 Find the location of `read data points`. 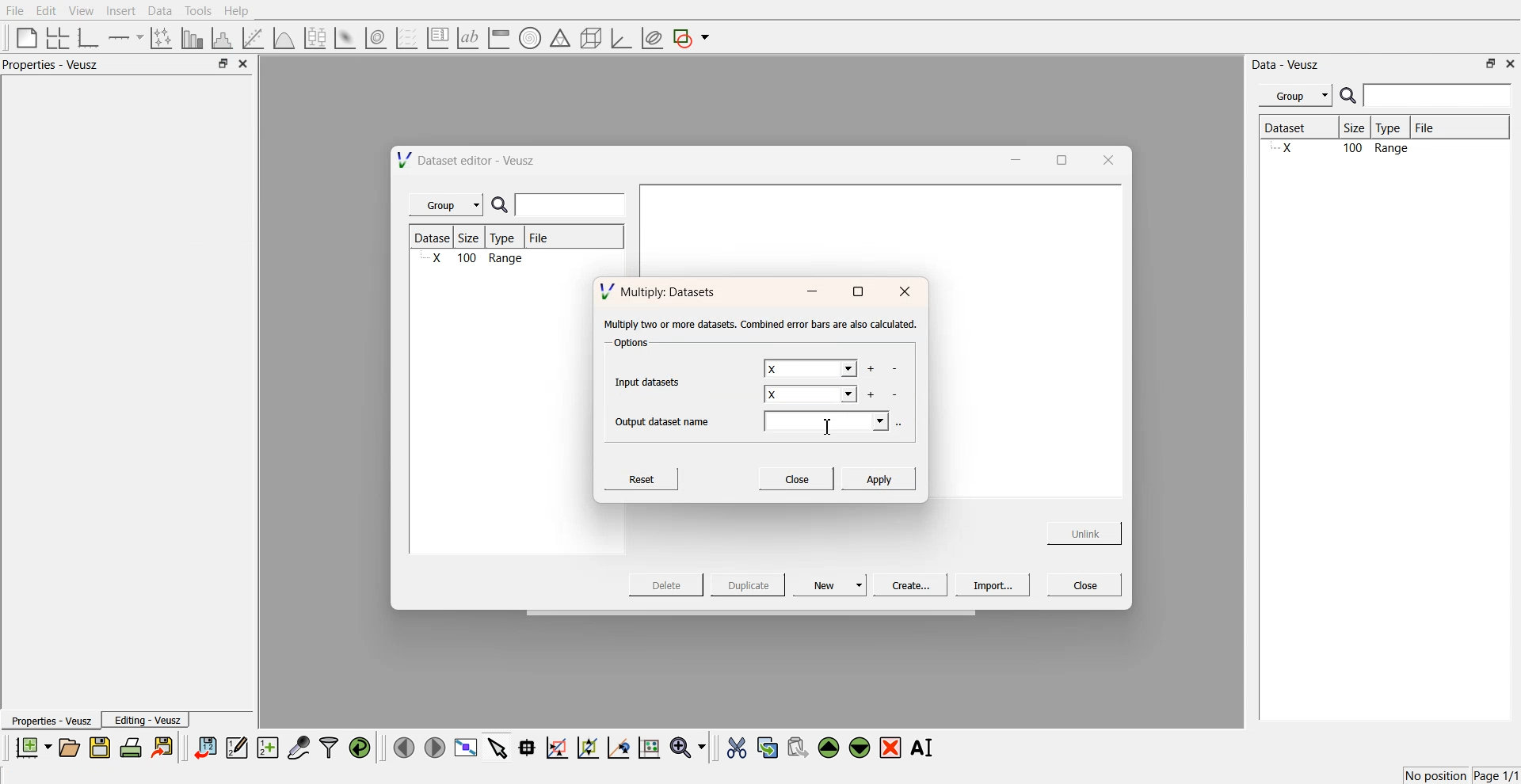

read data points is located at coordinates (527, 748).